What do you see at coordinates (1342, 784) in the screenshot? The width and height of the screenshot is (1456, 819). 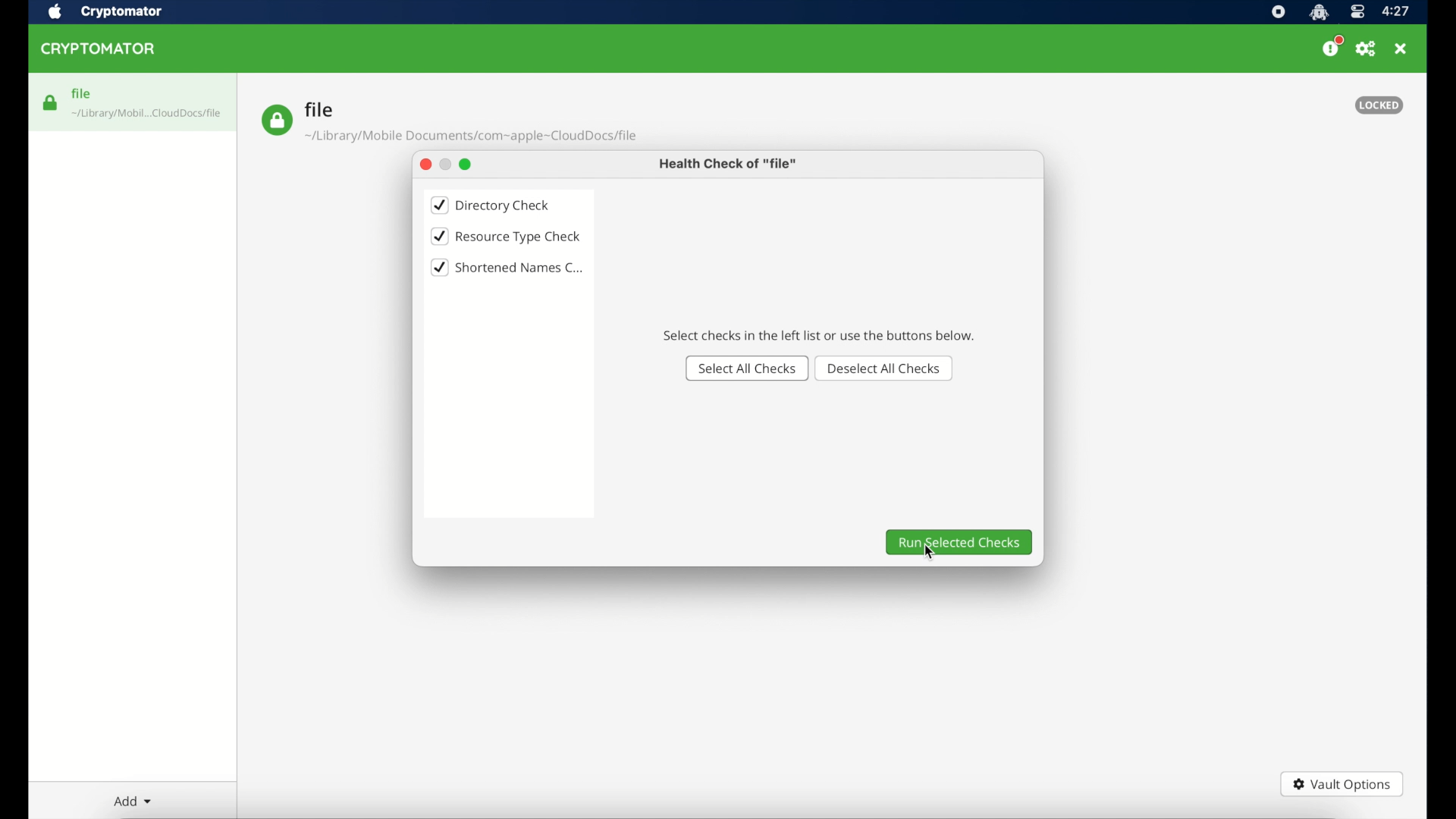 I see `vault options` at bounding box center [1342, 784].